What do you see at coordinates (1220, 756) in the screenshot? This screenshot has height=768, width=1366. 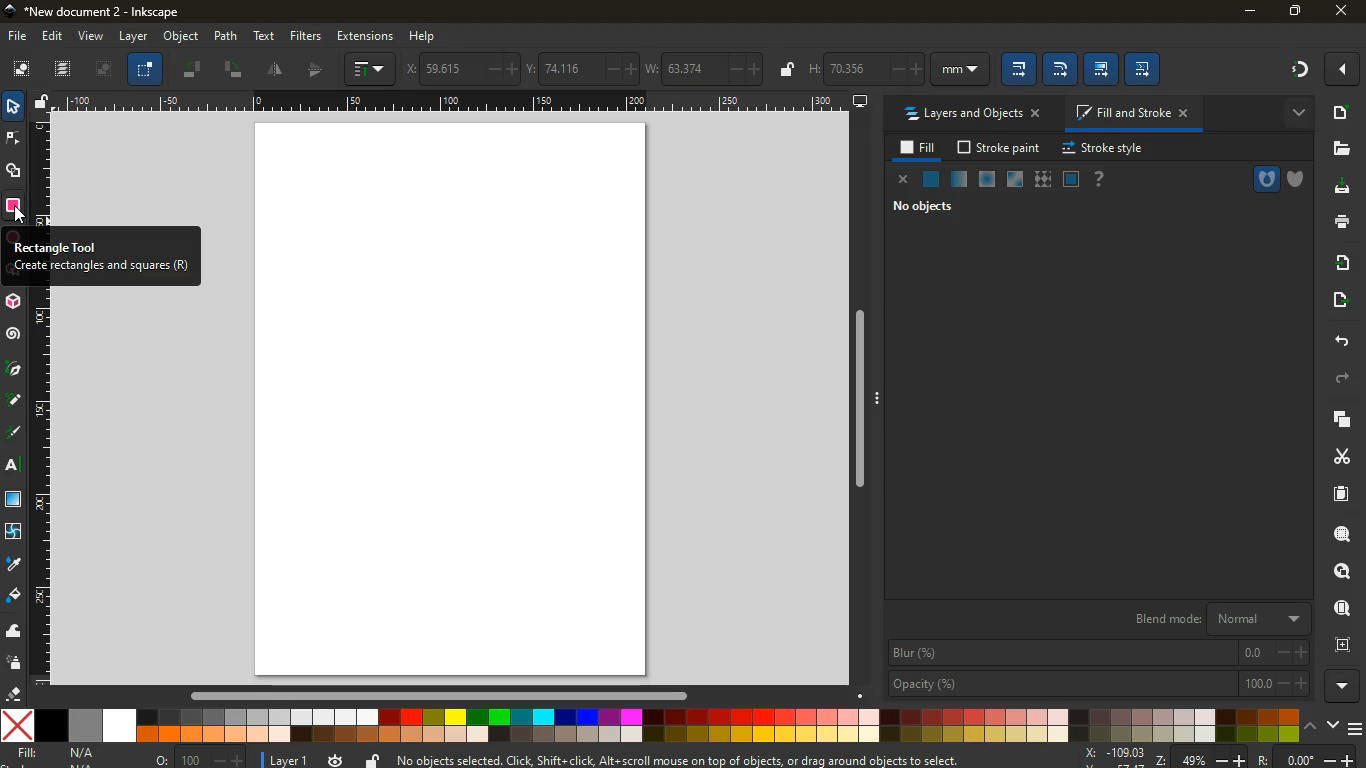 I see `zoom` at bounding box center [1220, 756].